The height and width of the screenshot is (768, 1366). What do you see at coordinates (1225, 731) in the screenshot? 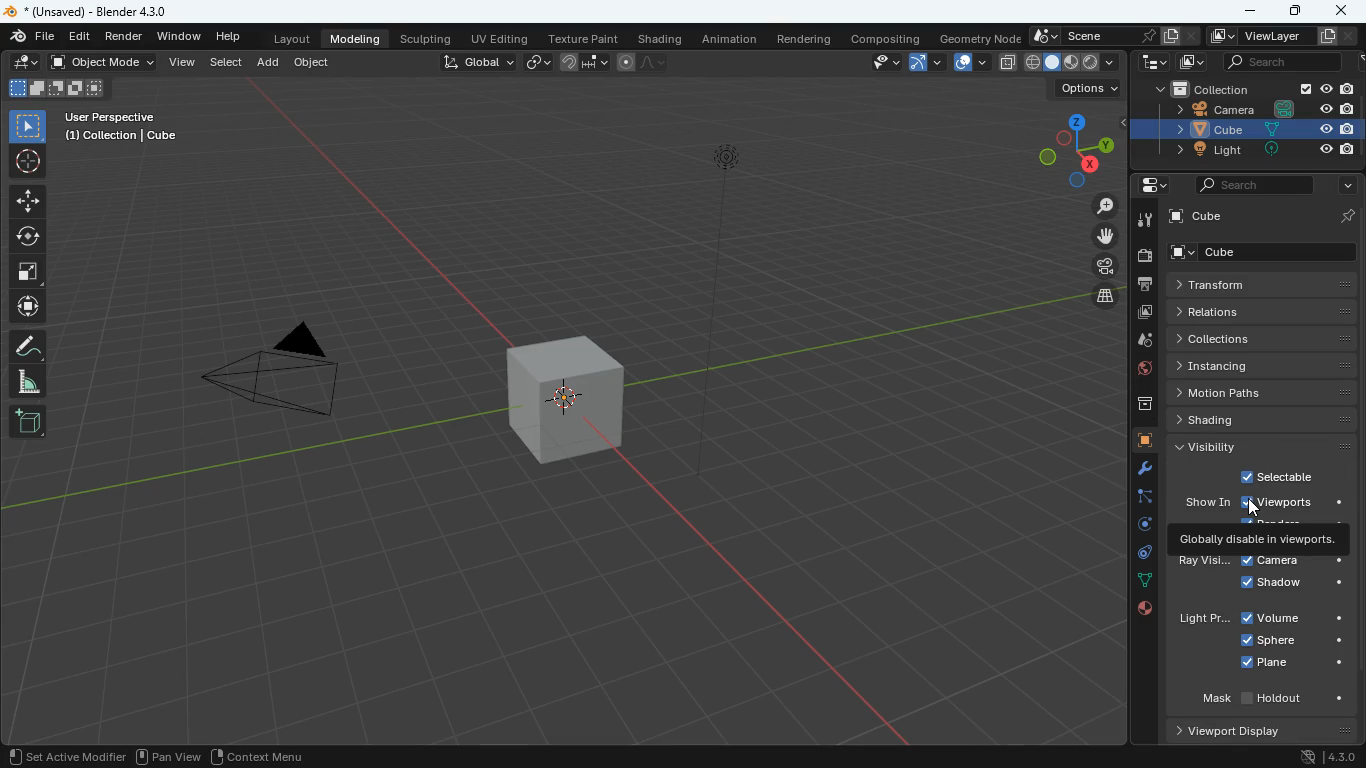
I see `Viewport Display` at bounding box center [1225, 731].